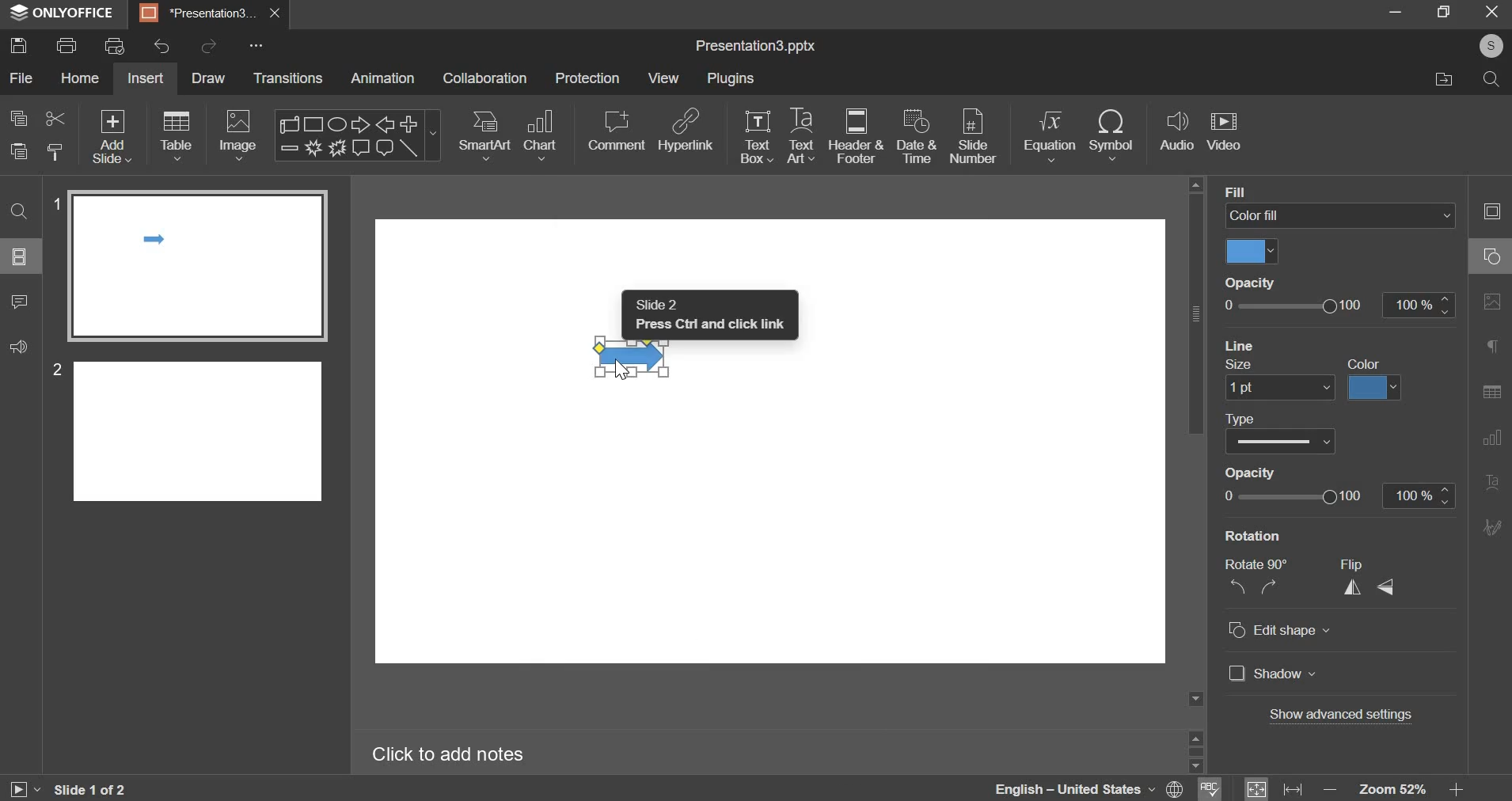 The height and width of the screenshot is (801, 1512). Describe the element at coordinates (409, 148) in the screenshot. I see `line` at that location.